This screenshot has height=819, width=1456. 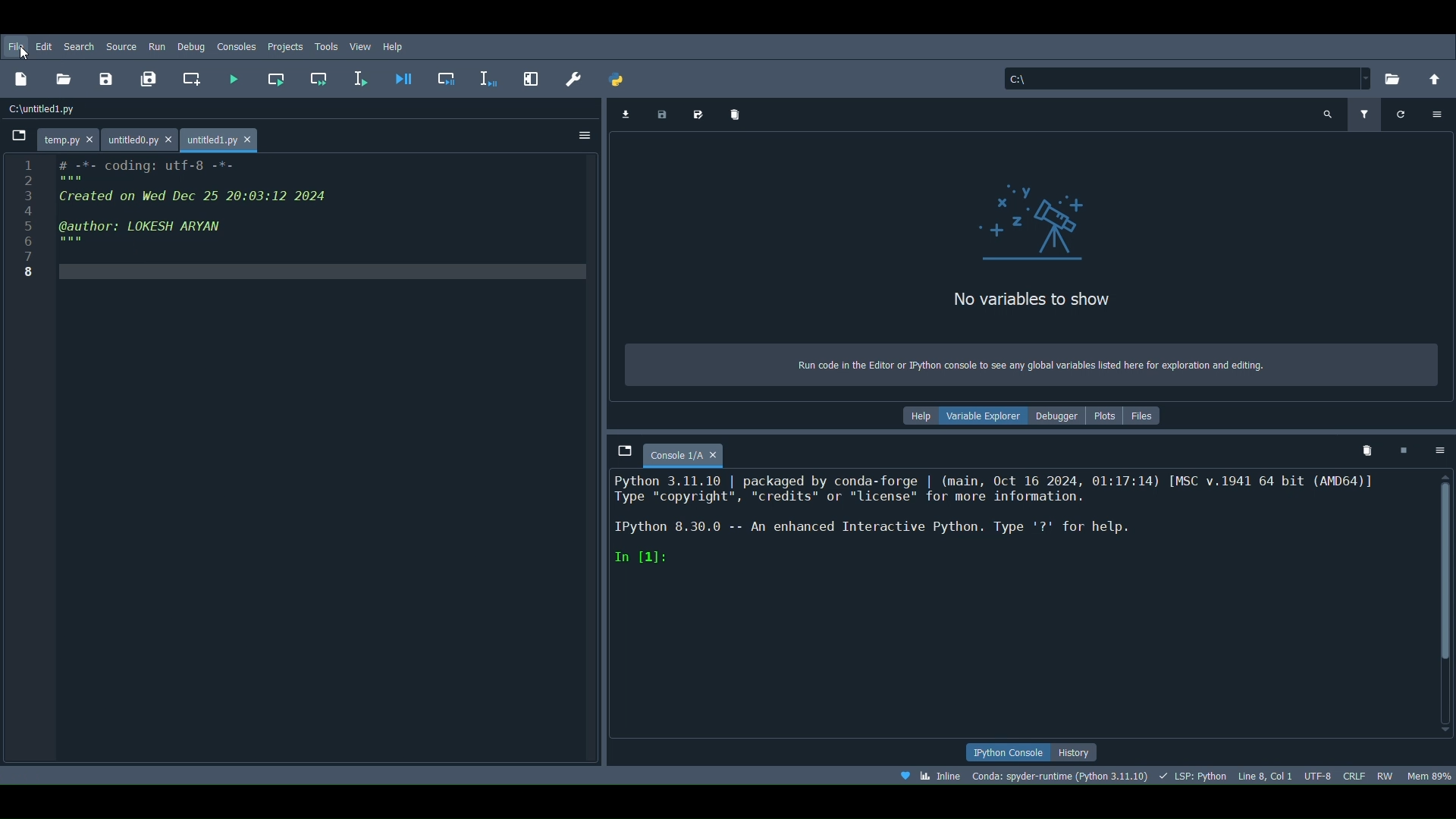 I want to click on File EOL Status, so click(x=1355, y=773).